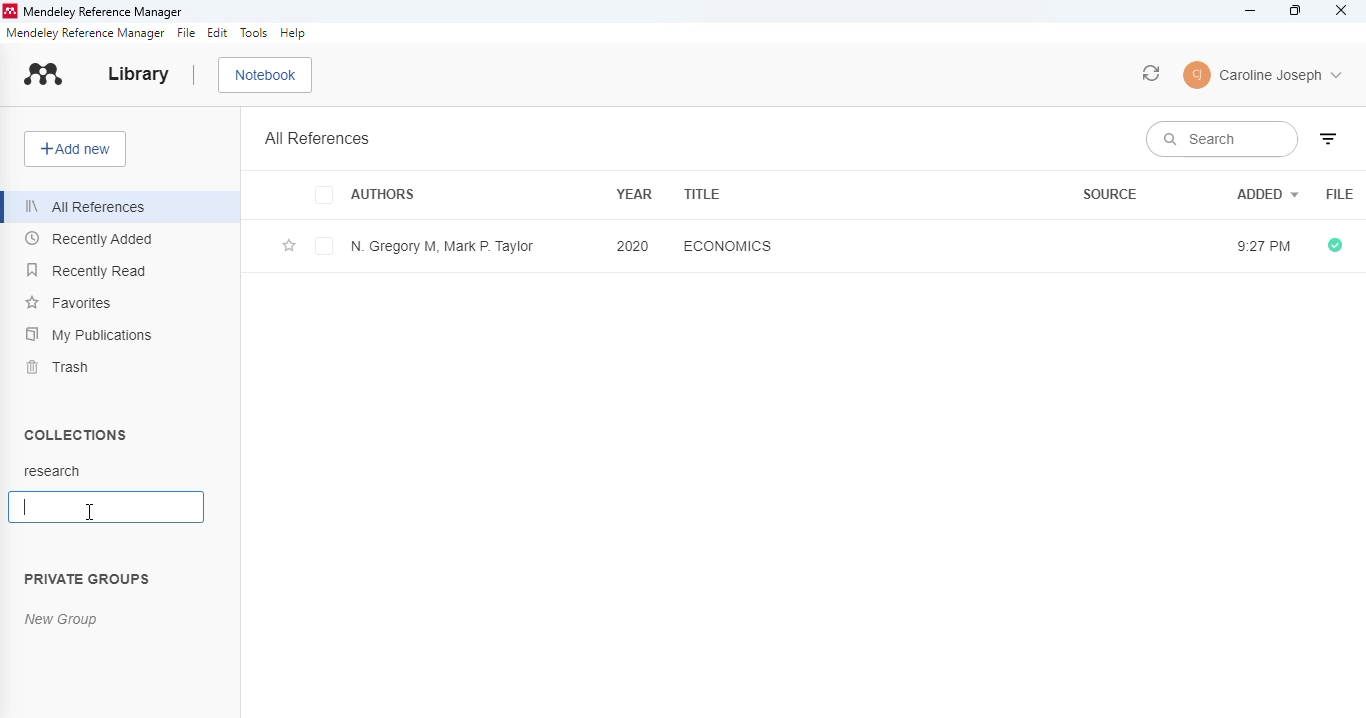  What do you see at coordinates (75, 149) in the screenshot?
I see `add new` at bounding box center [75, 149].